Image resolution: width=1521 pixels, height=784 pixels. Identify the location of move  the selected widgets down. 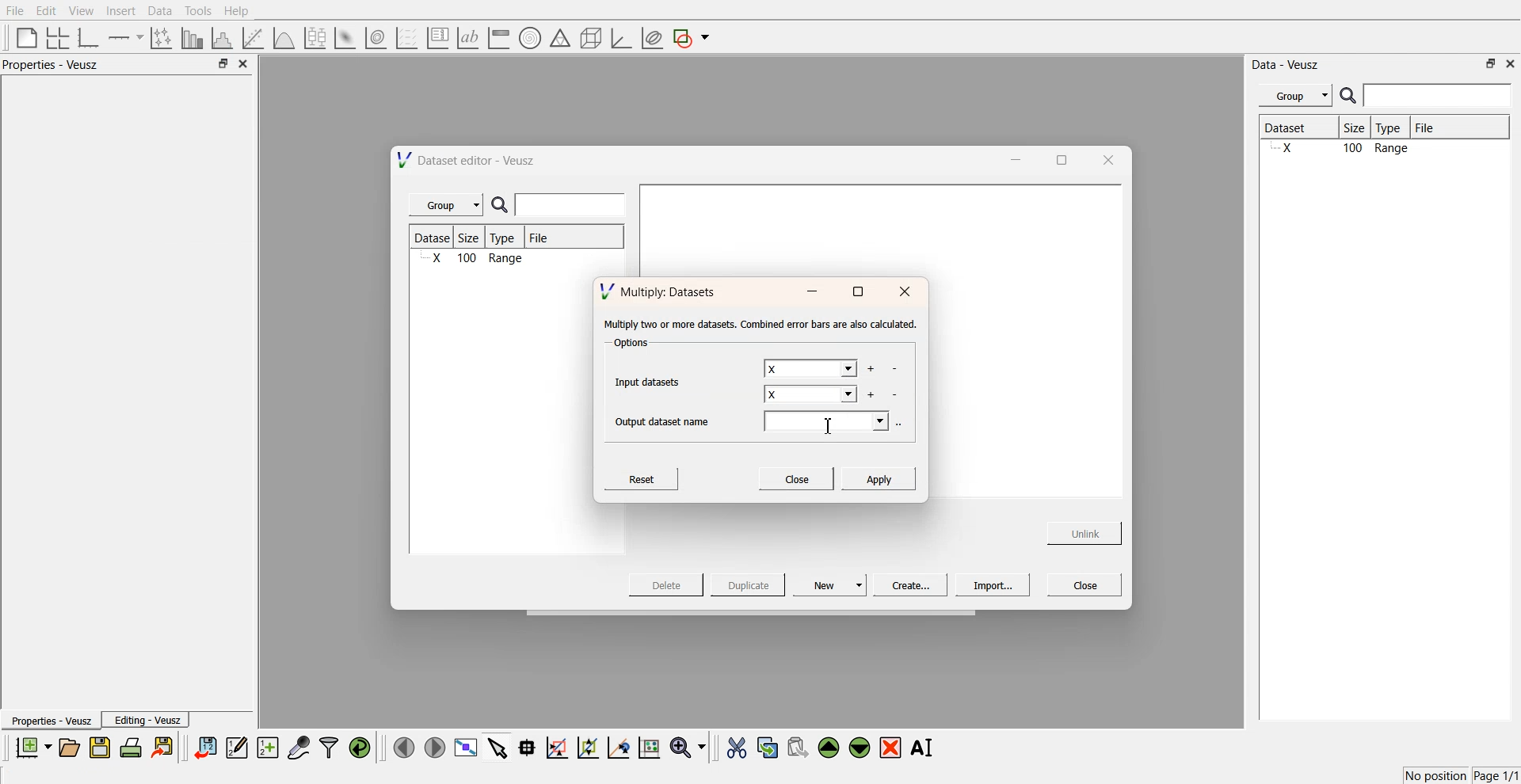
(860, 746).